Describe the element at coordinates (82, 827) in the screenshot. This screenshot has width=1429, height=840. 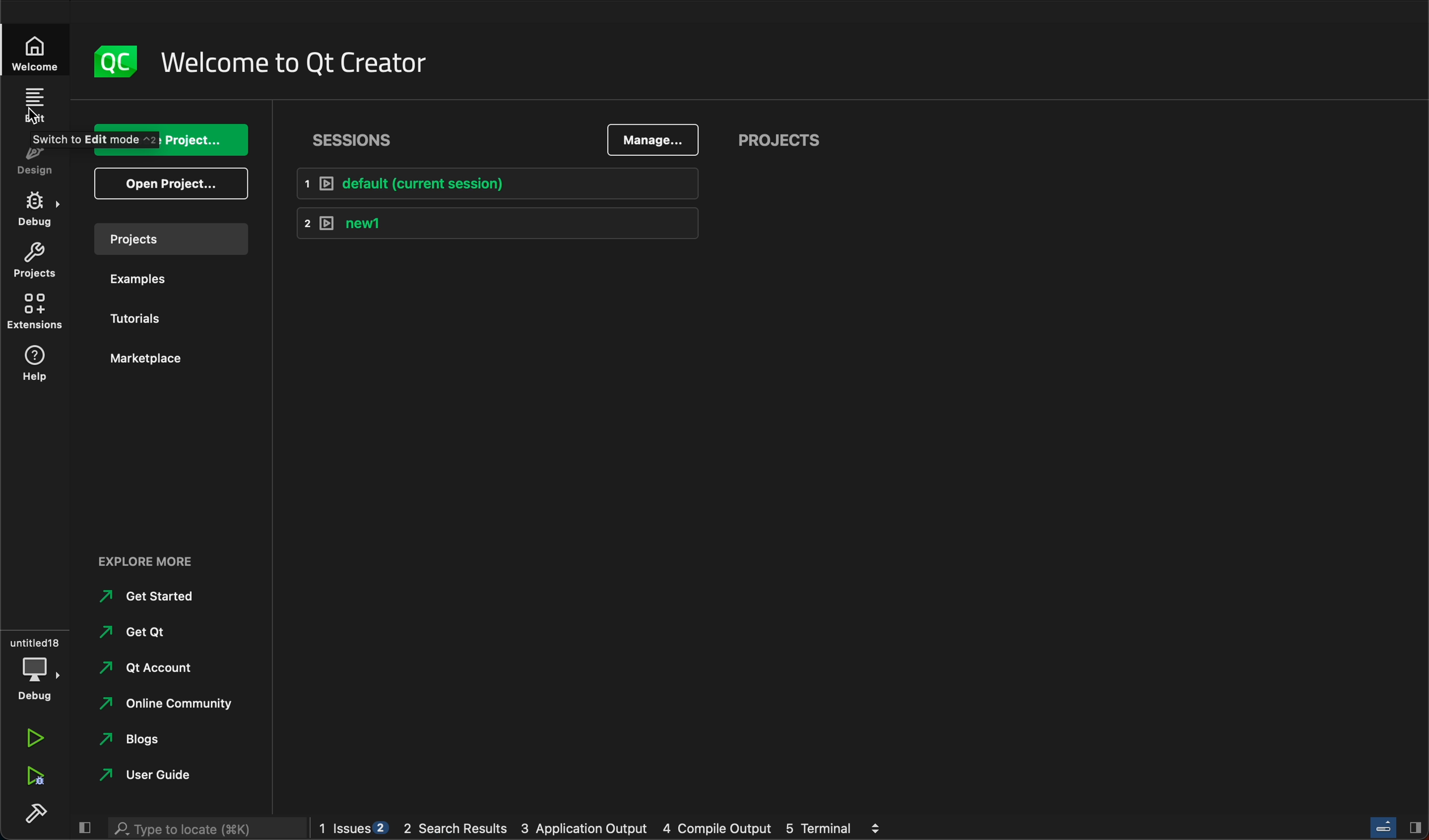
I see `cLose SlideBar` at that location.